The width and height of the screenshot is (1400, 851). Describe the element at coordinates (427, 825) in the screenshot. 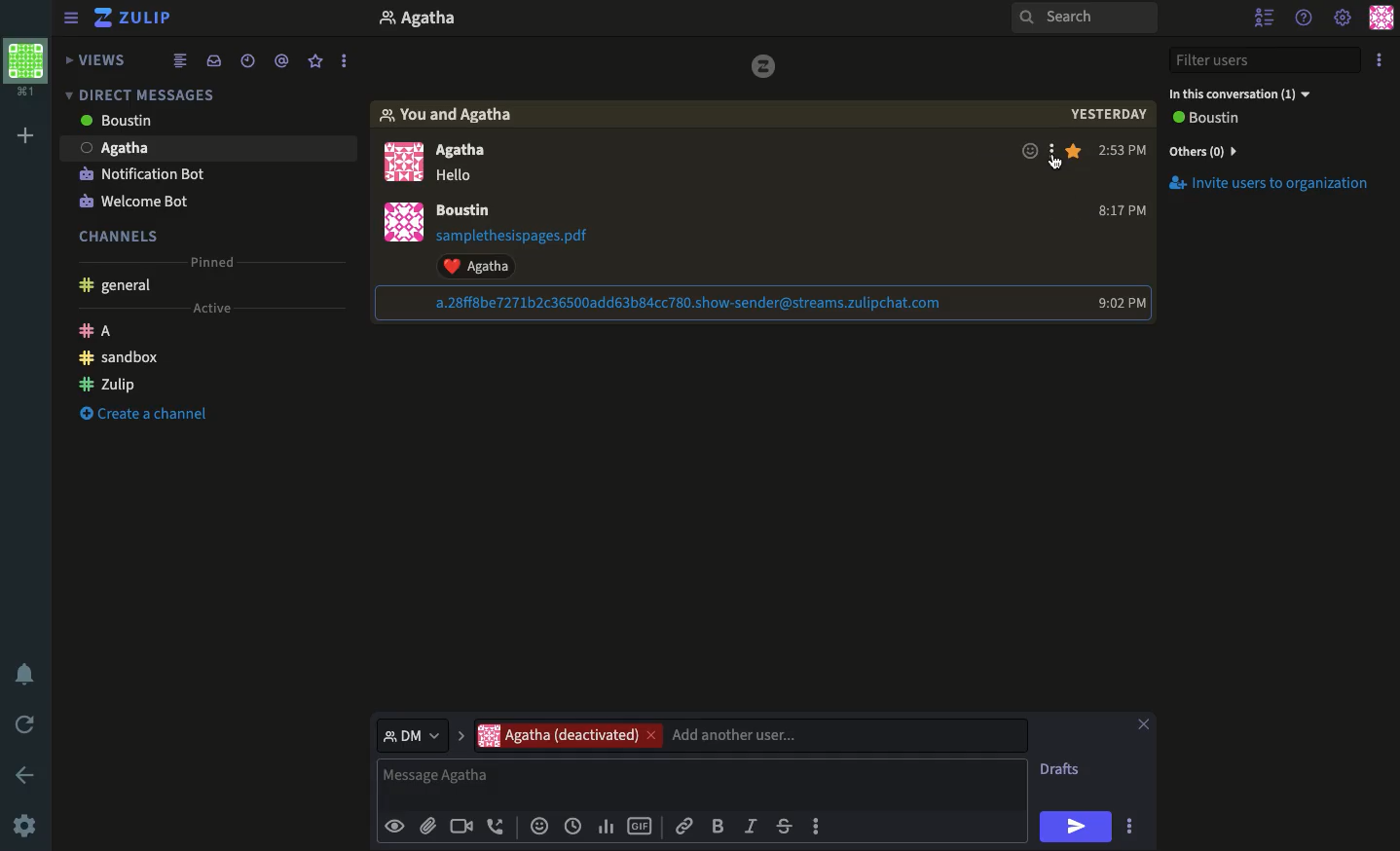

I see `File attachment` at that location.